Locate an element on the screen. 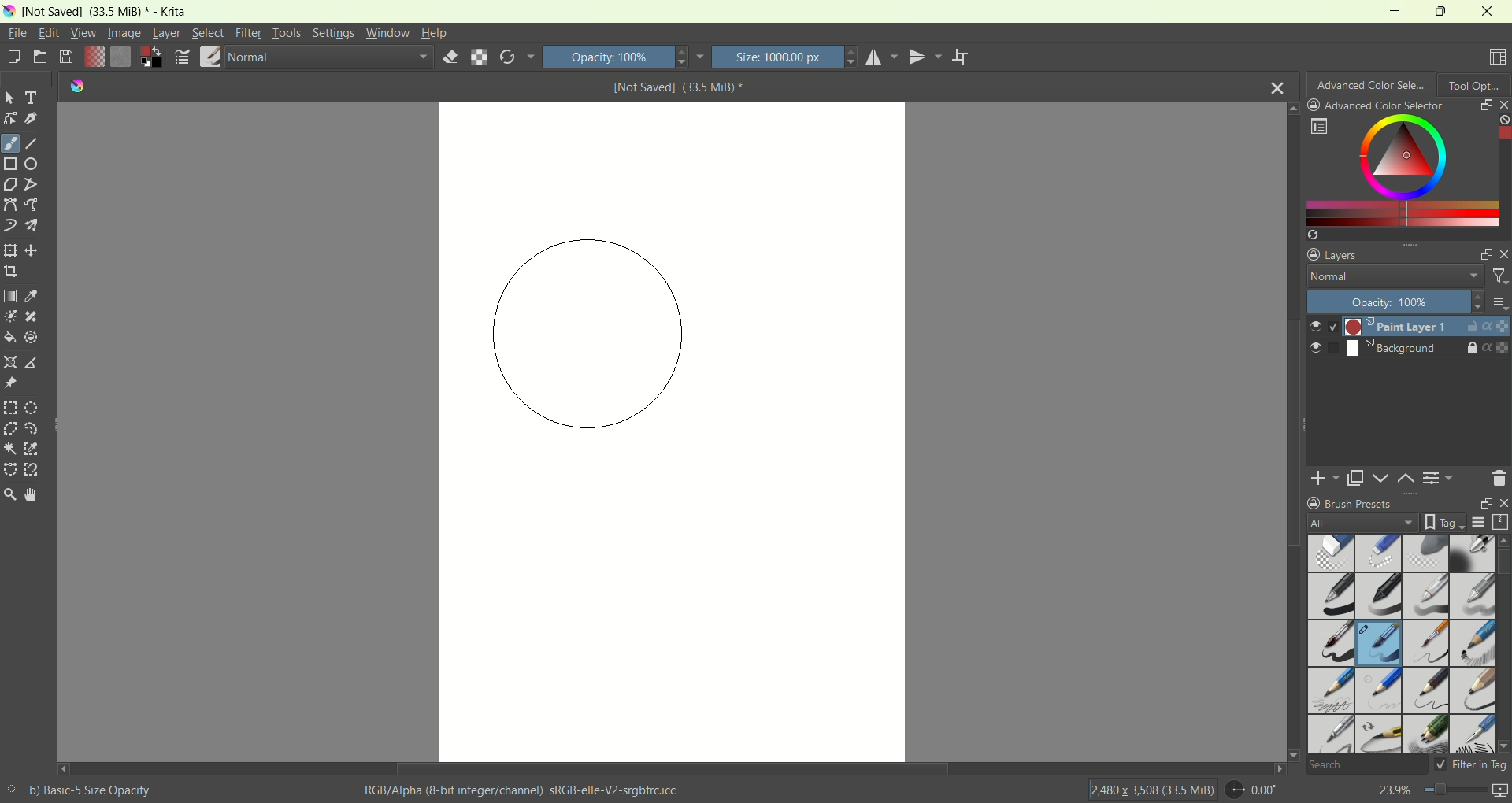 The width and height of the screenshot is (1512, 803). crop is located at coordinates (10, 270).